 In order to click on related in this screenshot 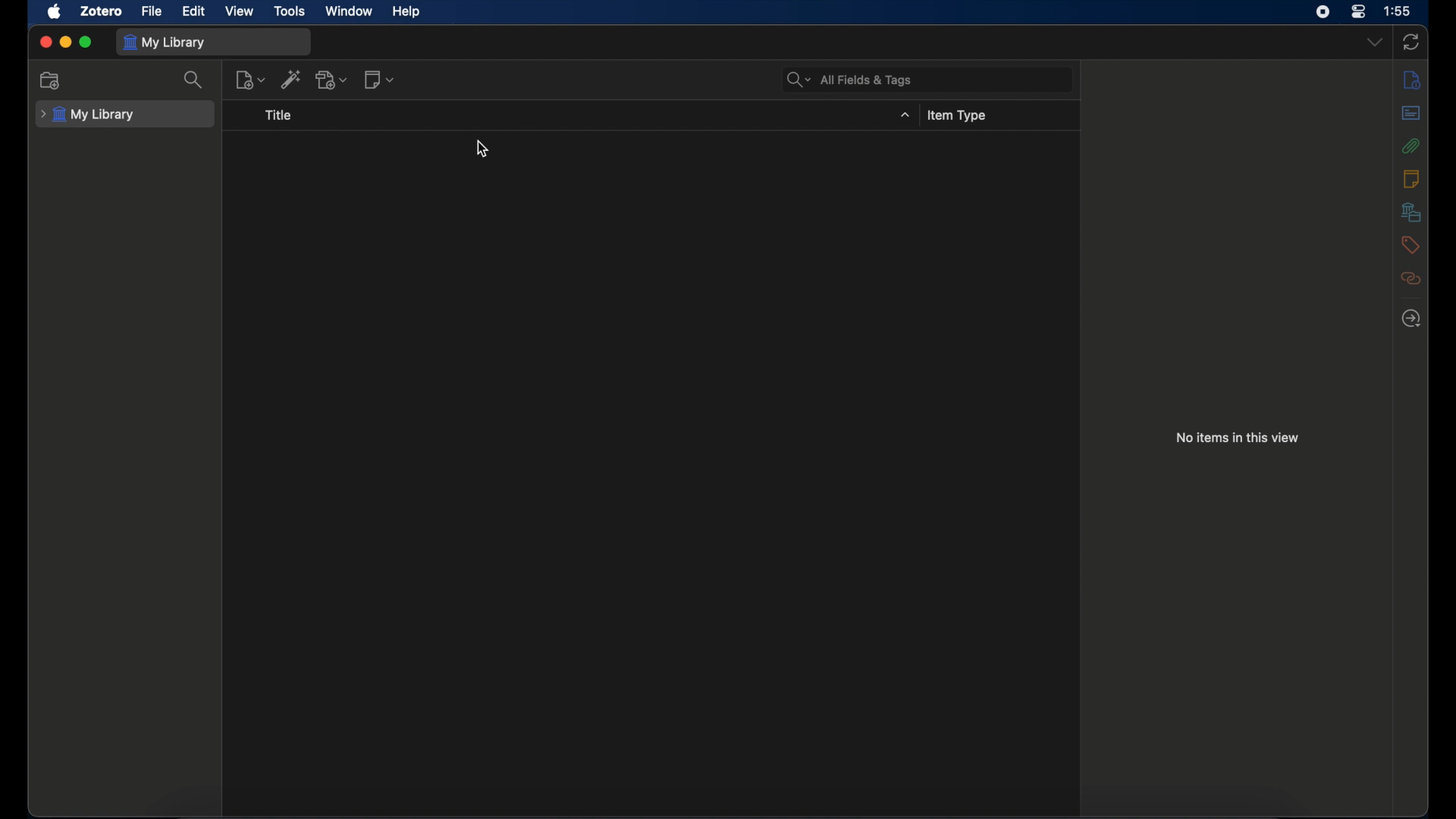, I will do `click(1410, 278)`.